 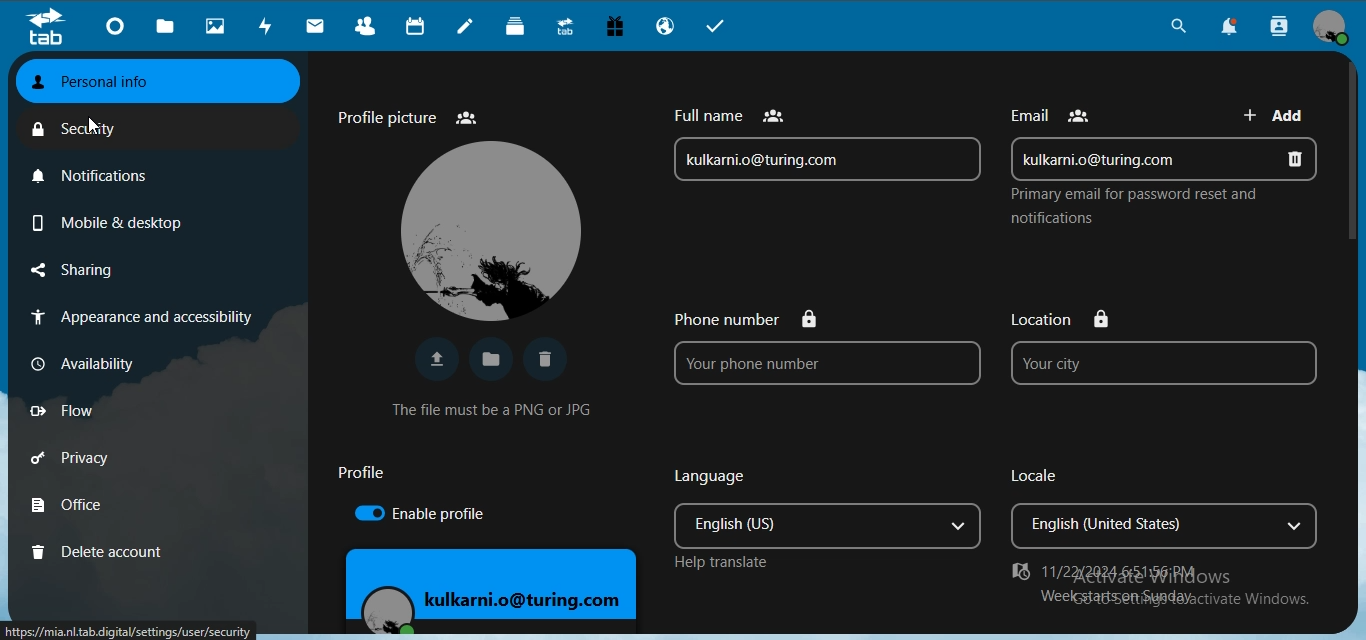 I want to click on flow, so click(x=94, y=411).